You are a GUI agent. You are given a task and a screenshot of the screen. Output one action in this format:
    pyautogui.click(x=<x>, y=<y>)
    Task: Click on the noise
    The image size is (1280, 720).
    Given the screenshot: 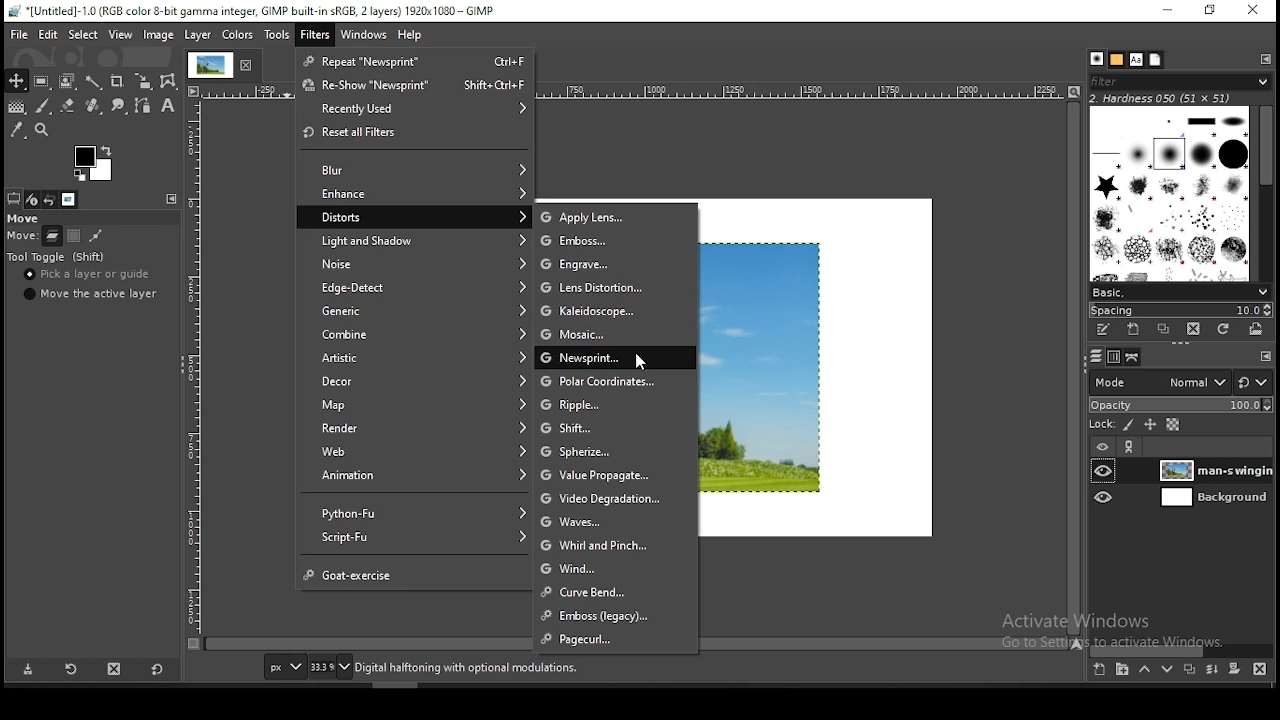 What is the action you would take?
    pyautogui.click(x=417, y=263)
    